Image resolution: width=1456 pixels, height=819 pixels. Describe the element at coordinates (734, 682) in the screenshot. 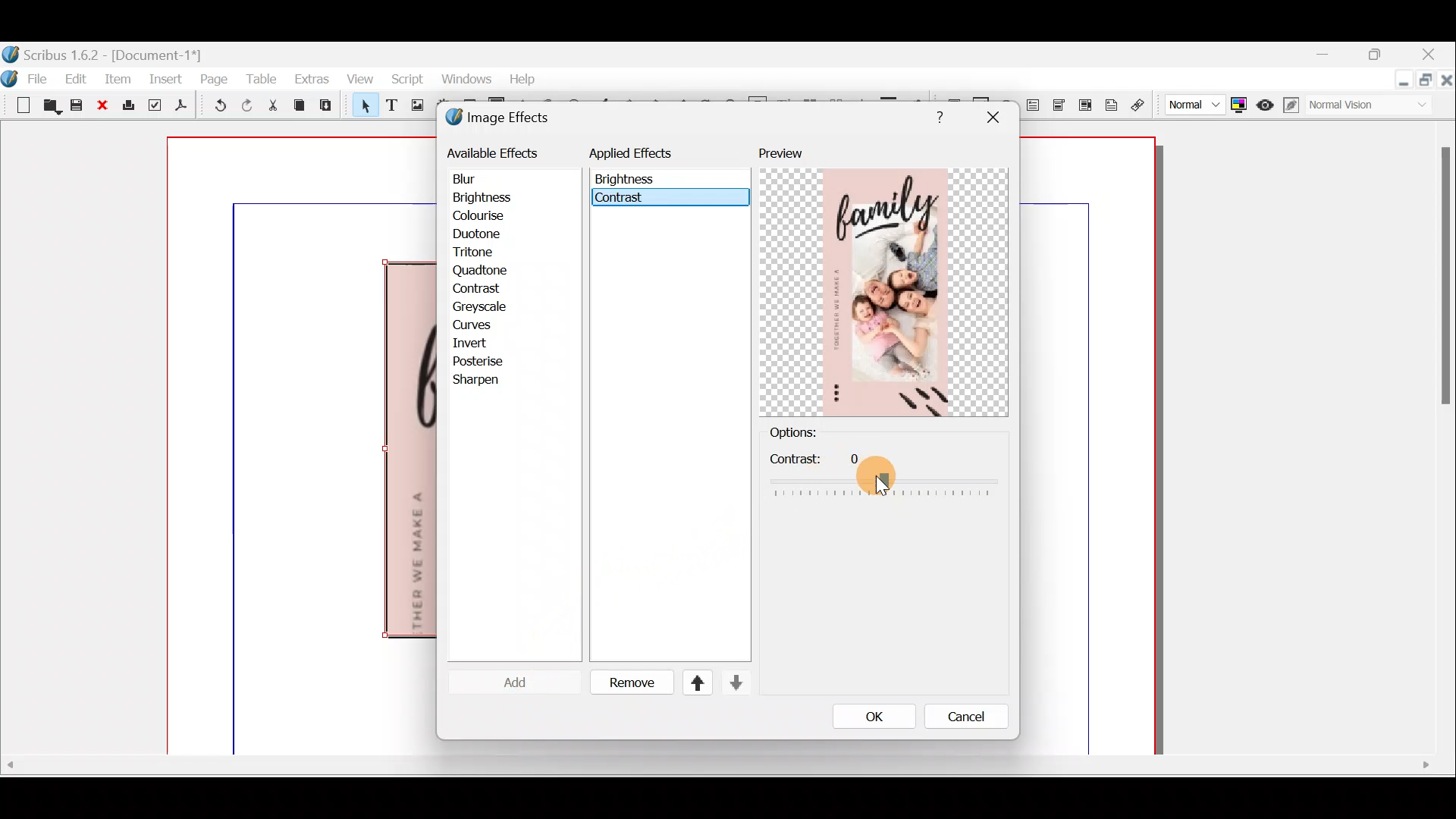

I see `Move down` at that location.